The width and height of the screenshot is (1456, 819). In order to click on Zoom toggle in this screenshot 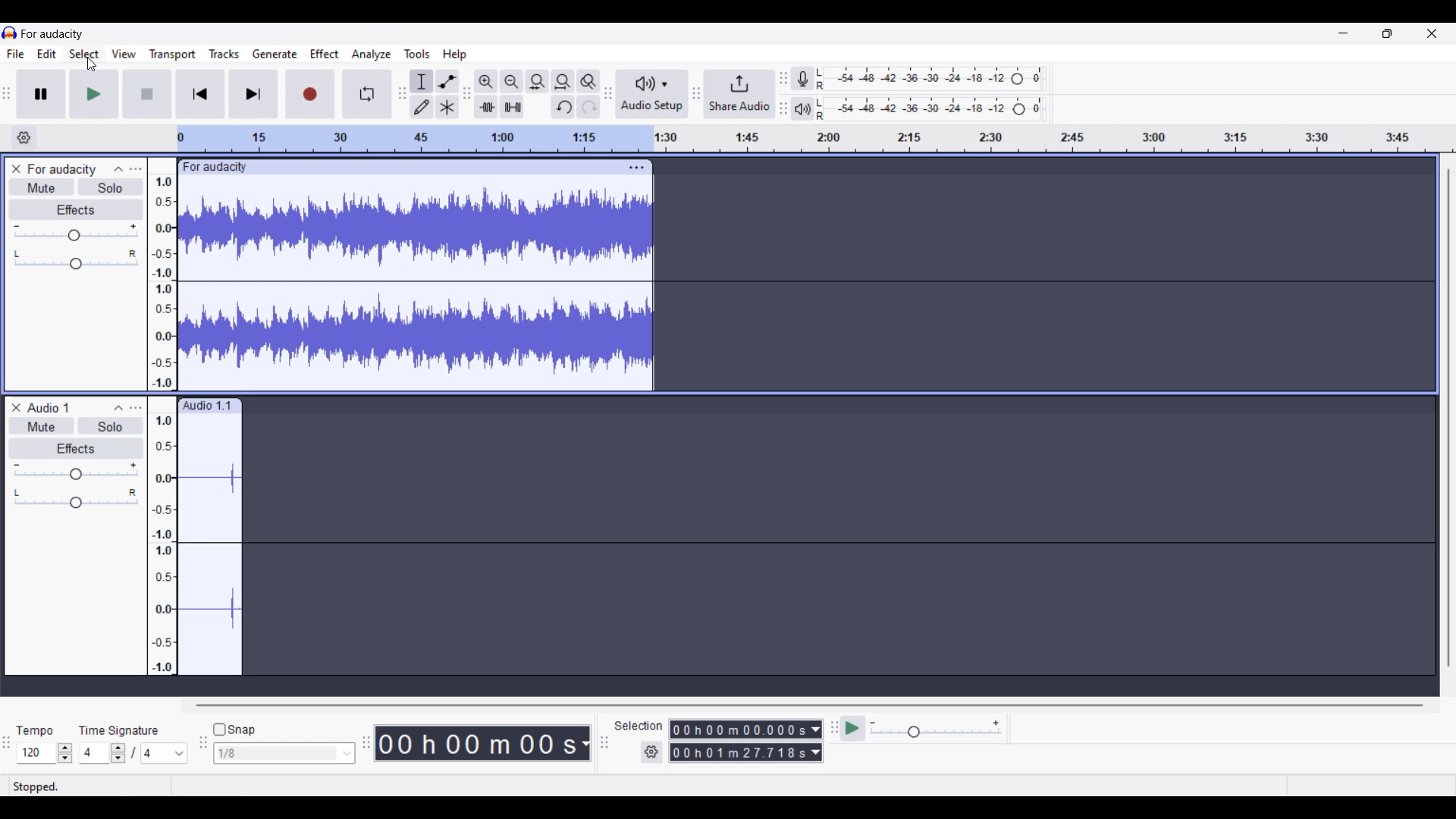, I will do `click(588, 82)`.